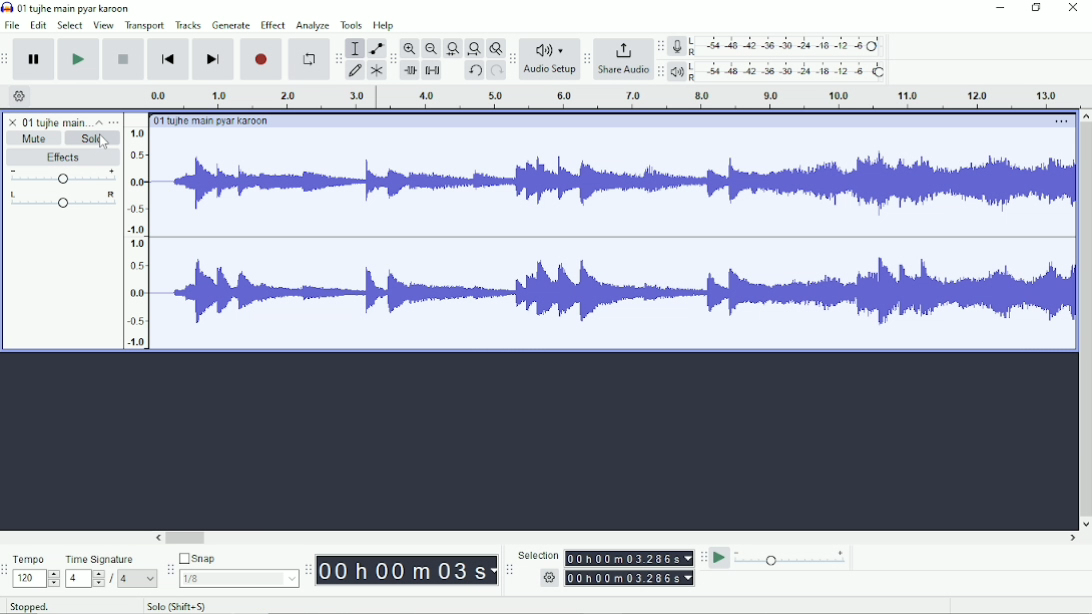 Image resolution: width=1092 pixels, height=614 pixels. What do you see at coordinates (660, 72) in the screenshot?
I see `Audacity playback meter toolbar` at bounding box center [660, 72].